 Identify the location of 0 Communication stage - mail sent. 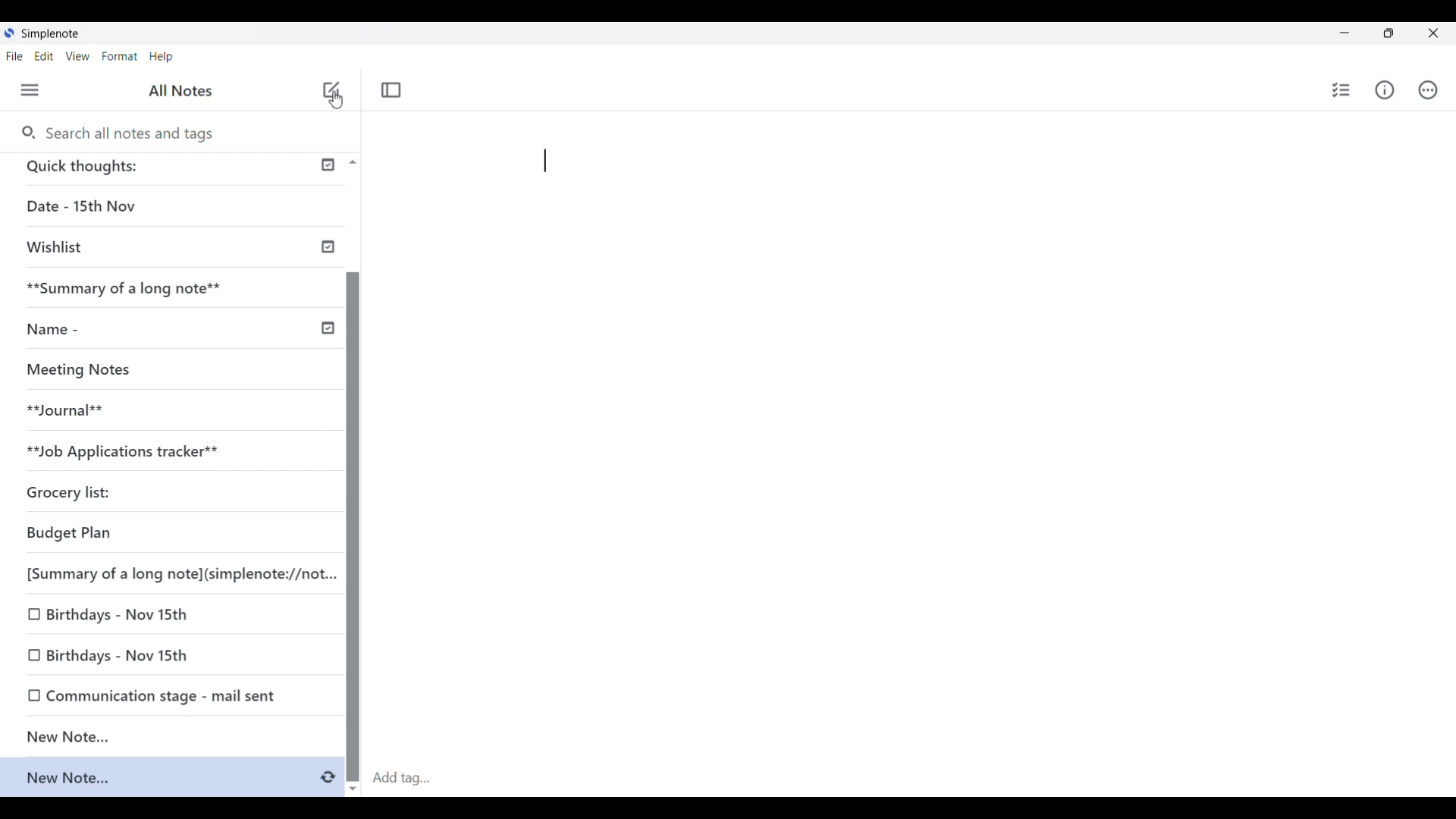
(155, 695).